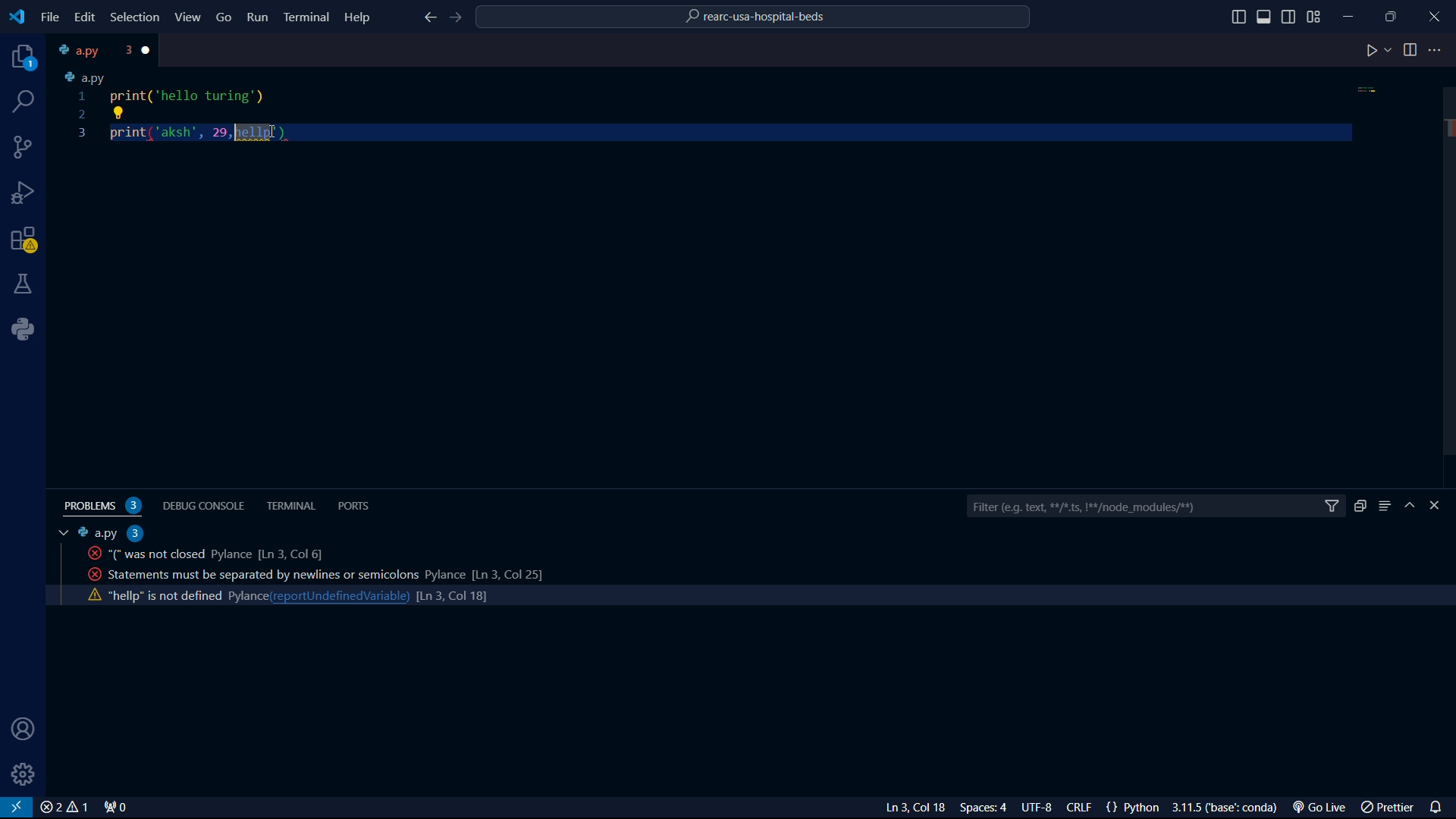 The width and height of the screenshot is (1456, 819). Describe the element at coordinates (1385, 506) in the screenshot. I see `menu` at that location.